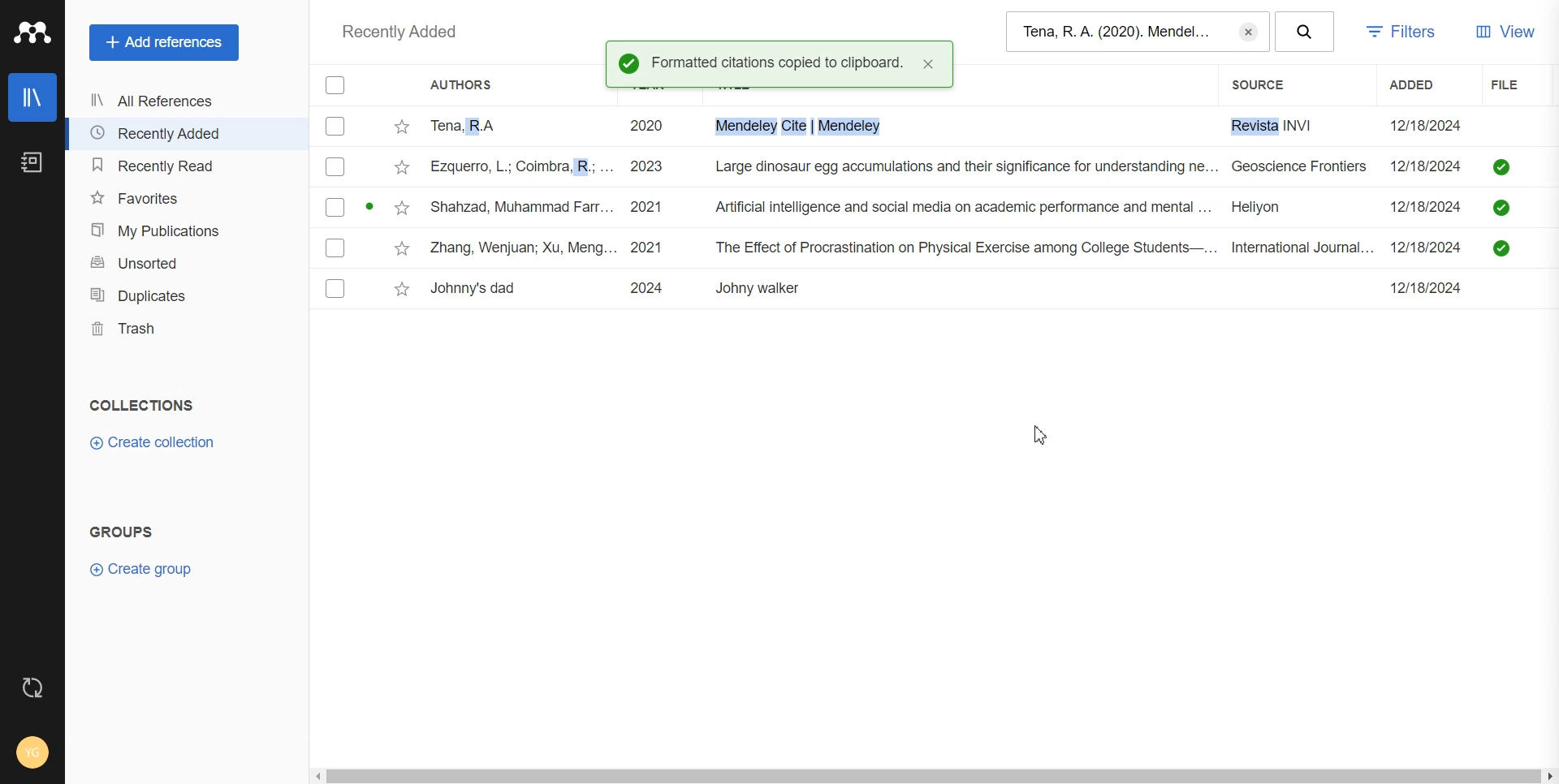  What do you see at coordinates (901, 287) in the screenshot?
I see `Johnny's dad 2024 Johny walker` at bounding box center [901, 287].